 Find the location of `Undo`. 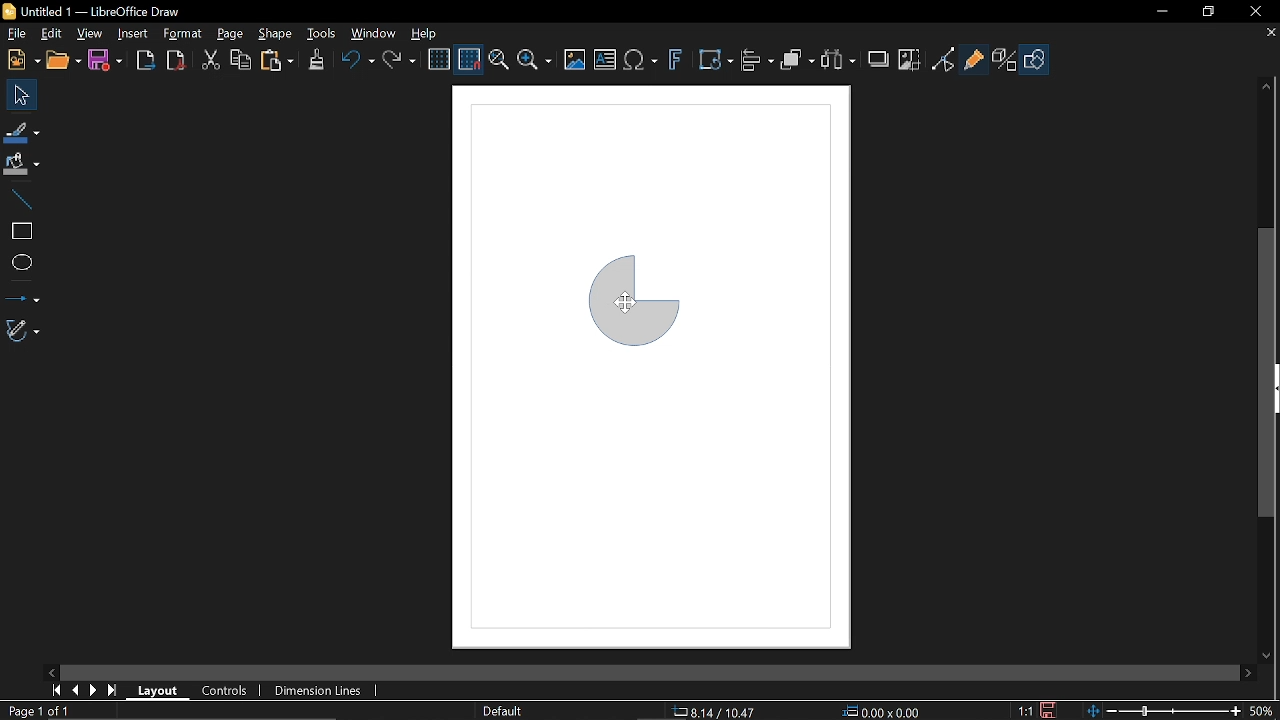

Undo is located at coordinates (358, 62).